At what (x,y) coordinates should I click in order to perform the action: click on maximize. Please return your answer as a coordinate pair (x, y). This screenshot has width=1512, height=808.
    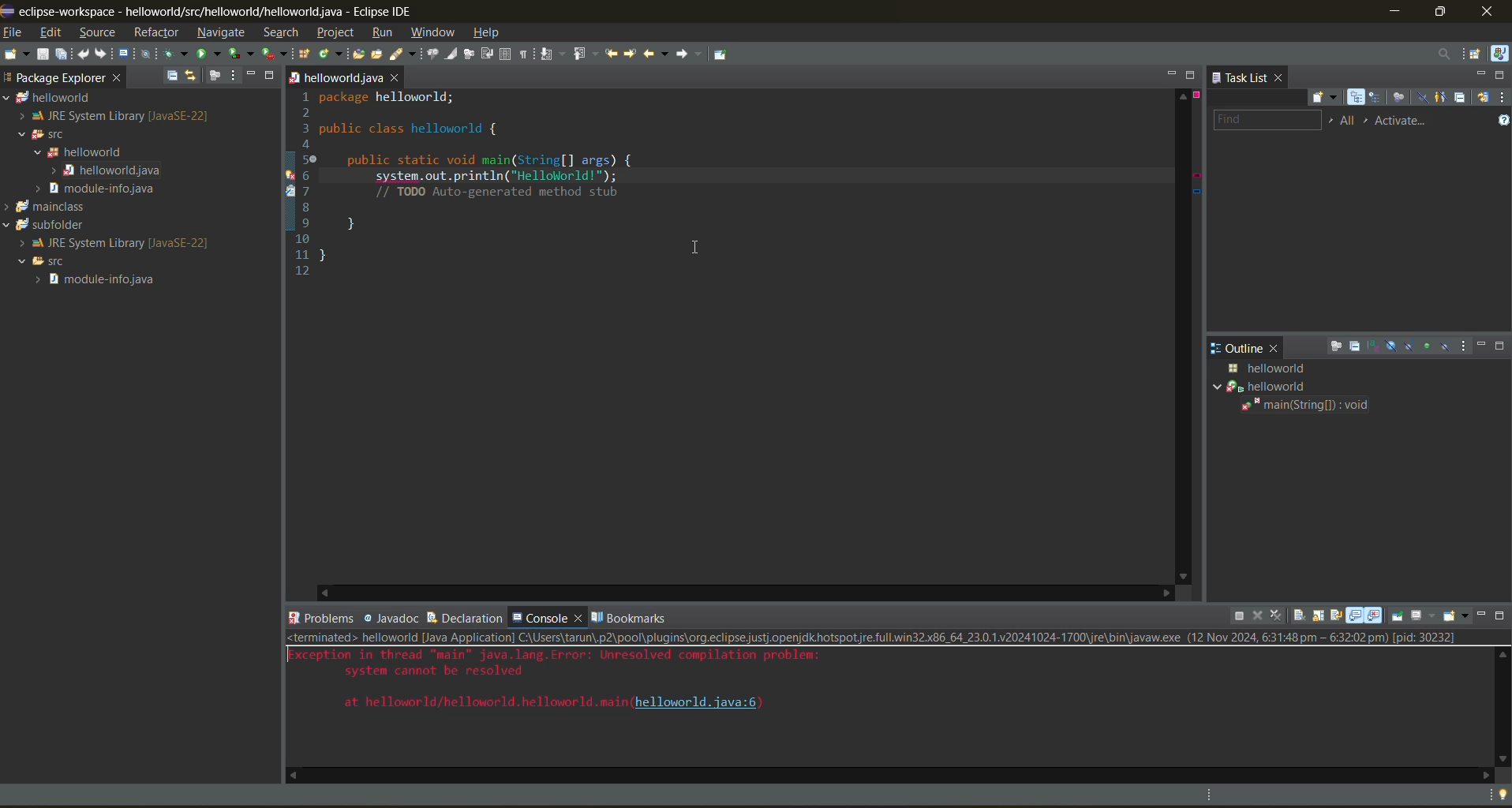
    Looking at the image, I should click on (270, 76).